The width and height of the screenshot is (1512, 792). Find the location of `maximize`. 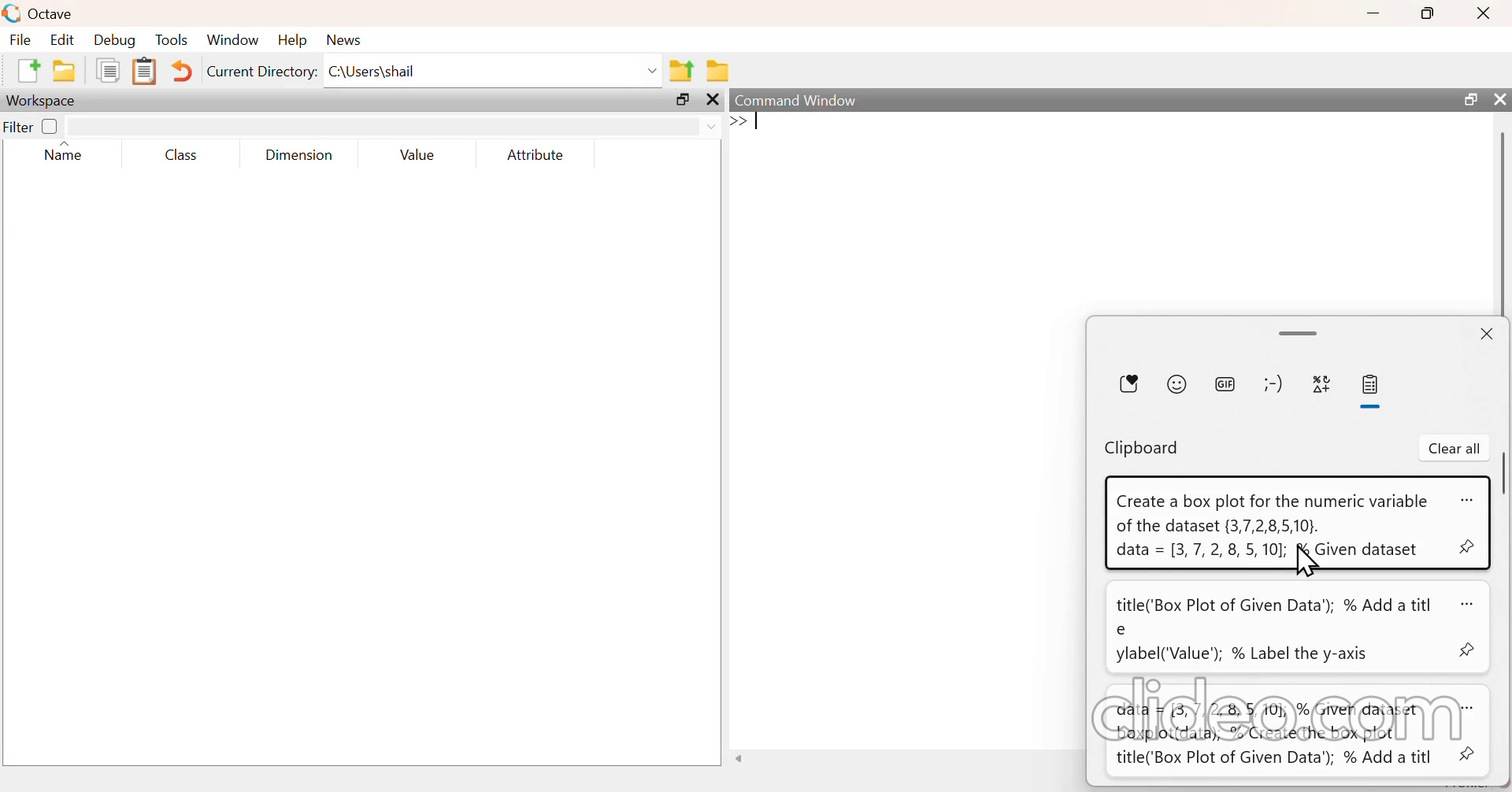

maximize is located at coordinates (677, 99).